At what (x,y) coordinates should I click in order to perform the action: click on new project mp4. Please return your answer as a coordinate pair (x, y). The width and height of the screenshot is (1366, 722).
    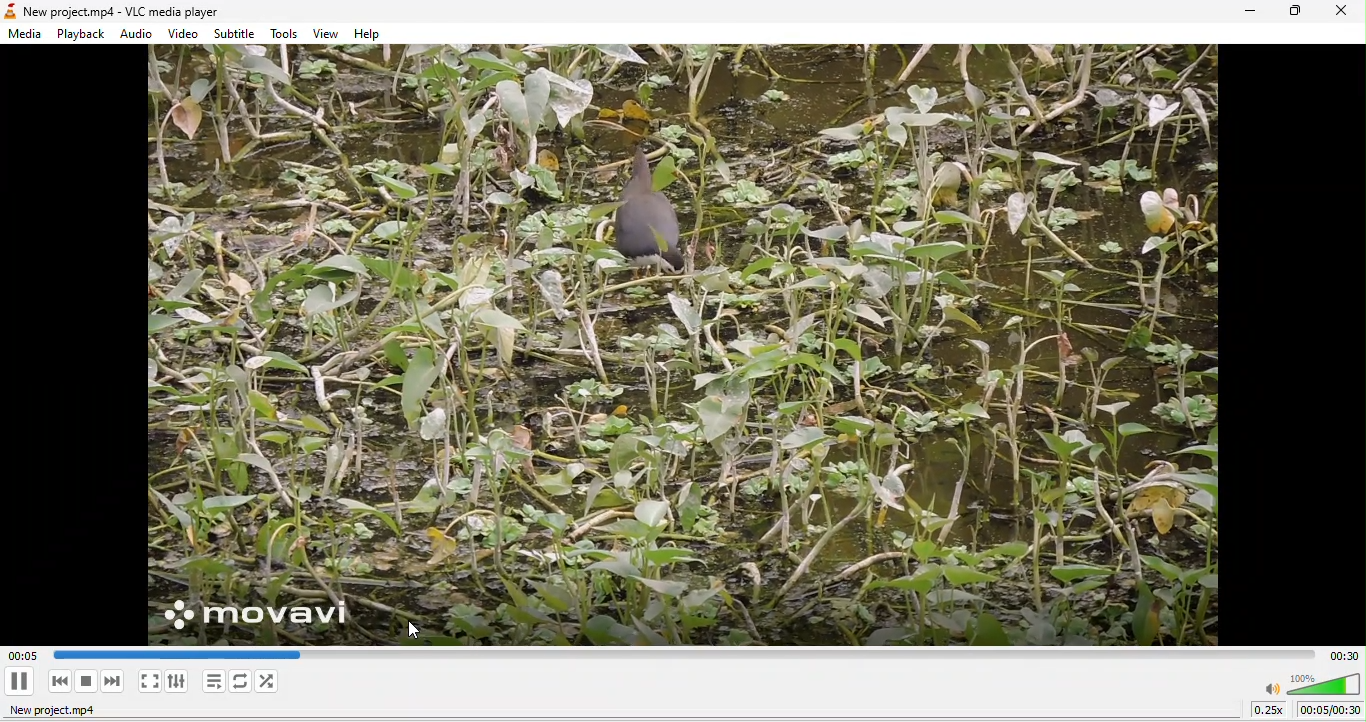
    Looking at the image, I should click on (64, 711).